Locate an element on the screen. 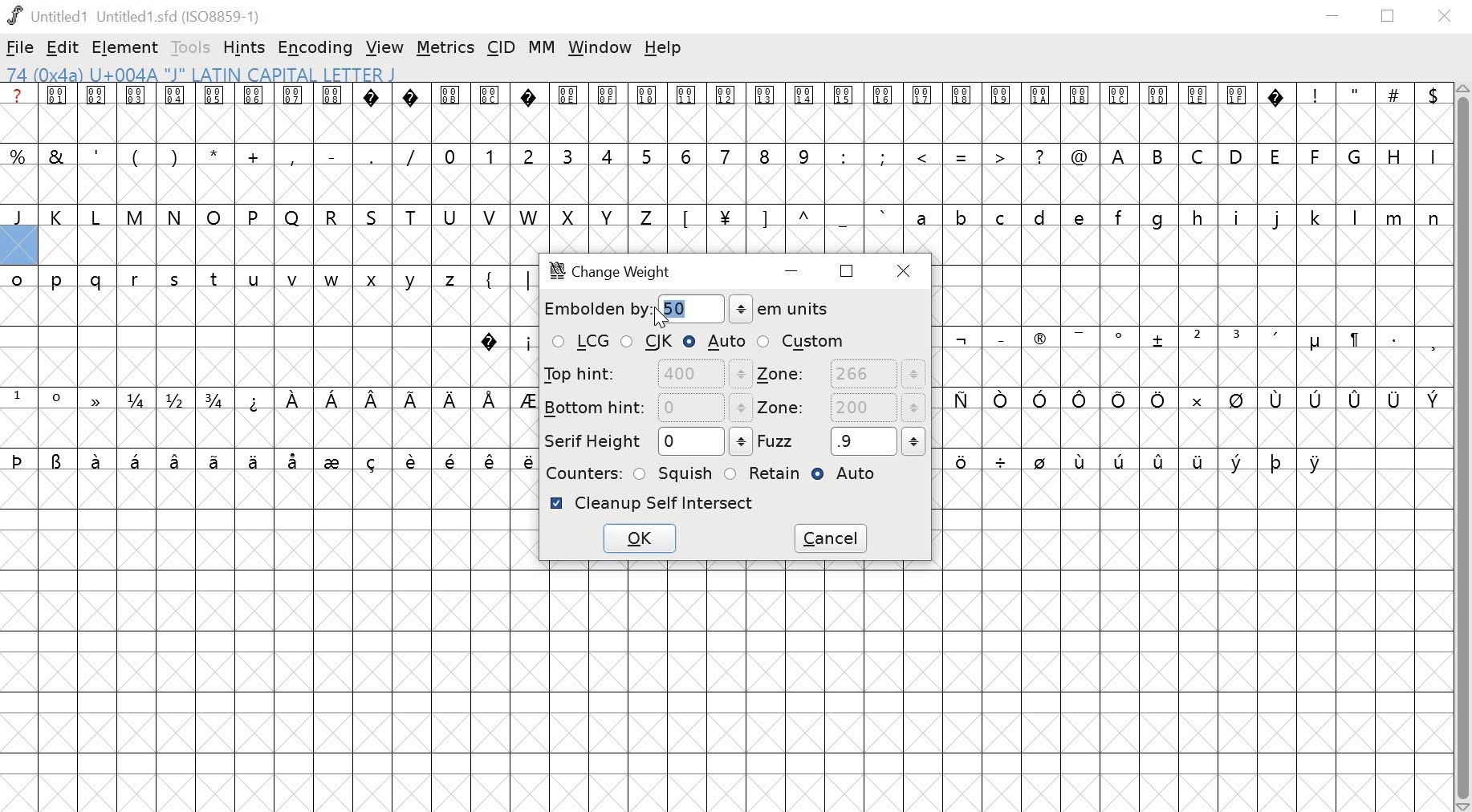 The width and height of the screenshot is (1472, 812). restore down is located at coordinates (1389, 16).